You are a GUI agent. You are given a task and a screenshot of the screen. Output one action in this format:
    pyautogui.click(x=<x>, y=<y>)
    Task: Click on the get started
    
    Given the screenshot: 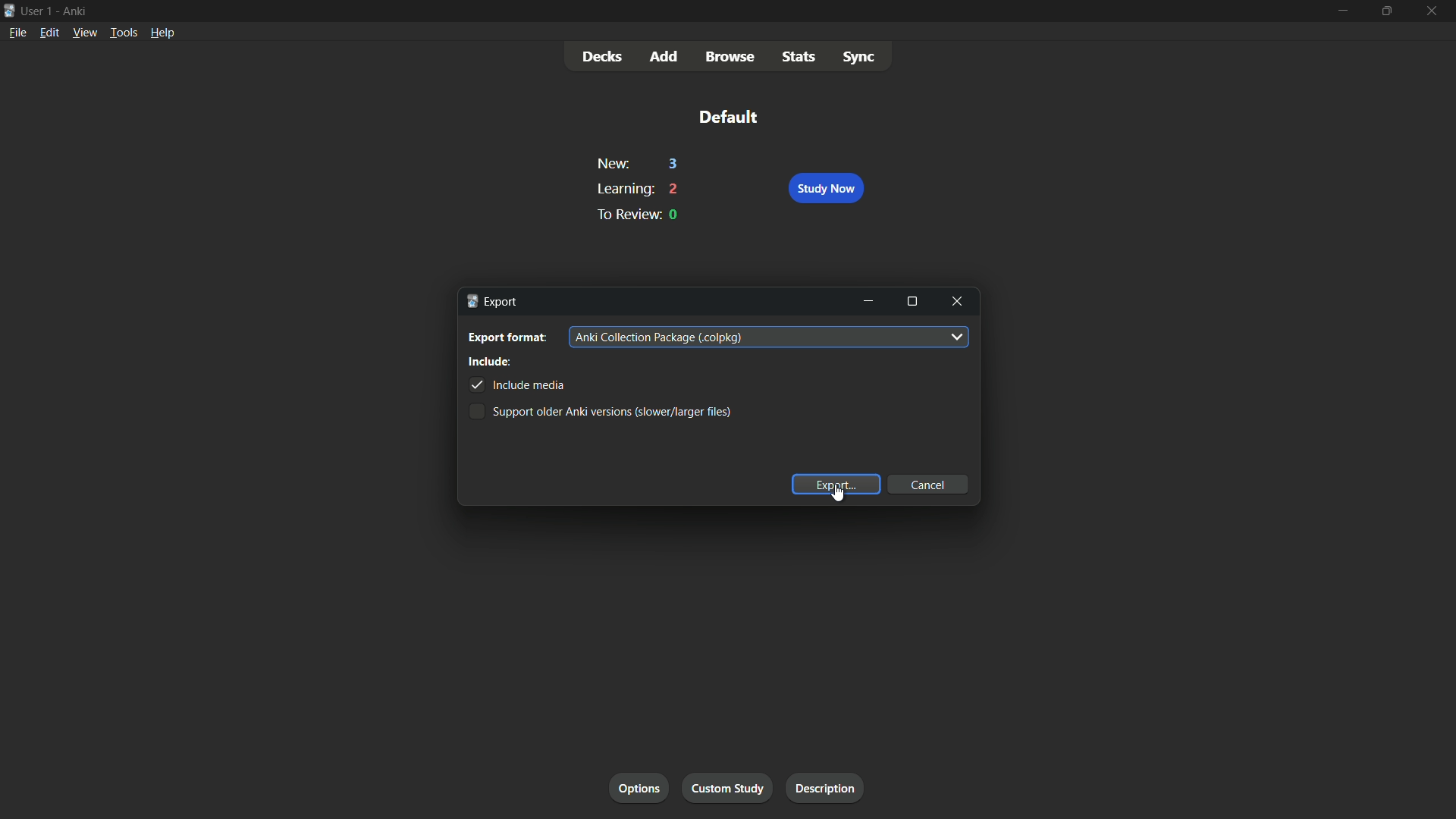 What is the action you would take?
    pyautogui.click(x=640, y=789)
    